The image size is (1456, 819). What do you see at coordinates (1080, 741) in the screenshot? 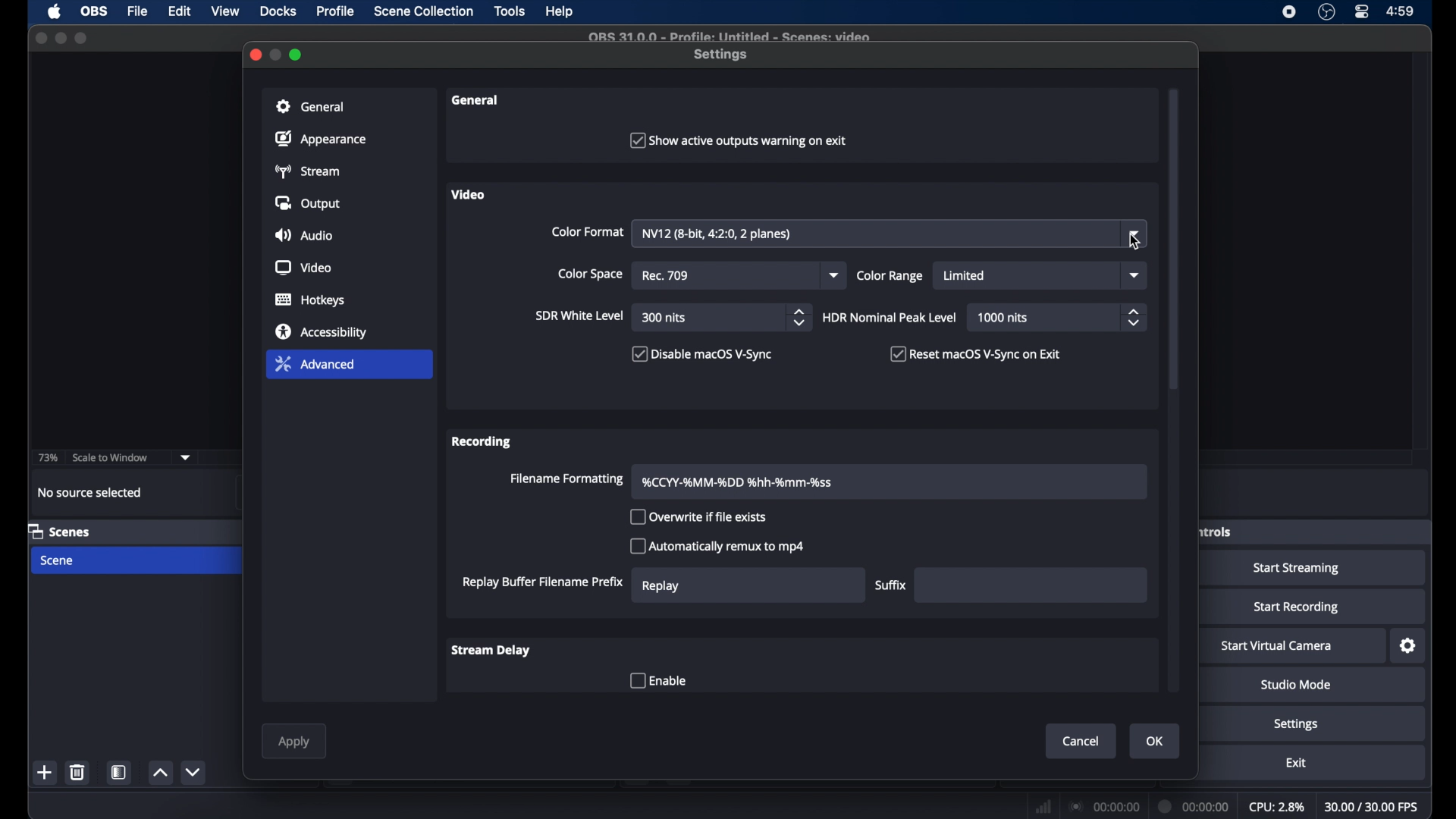
I see `Cancel` at bounding box center [1080, 741].